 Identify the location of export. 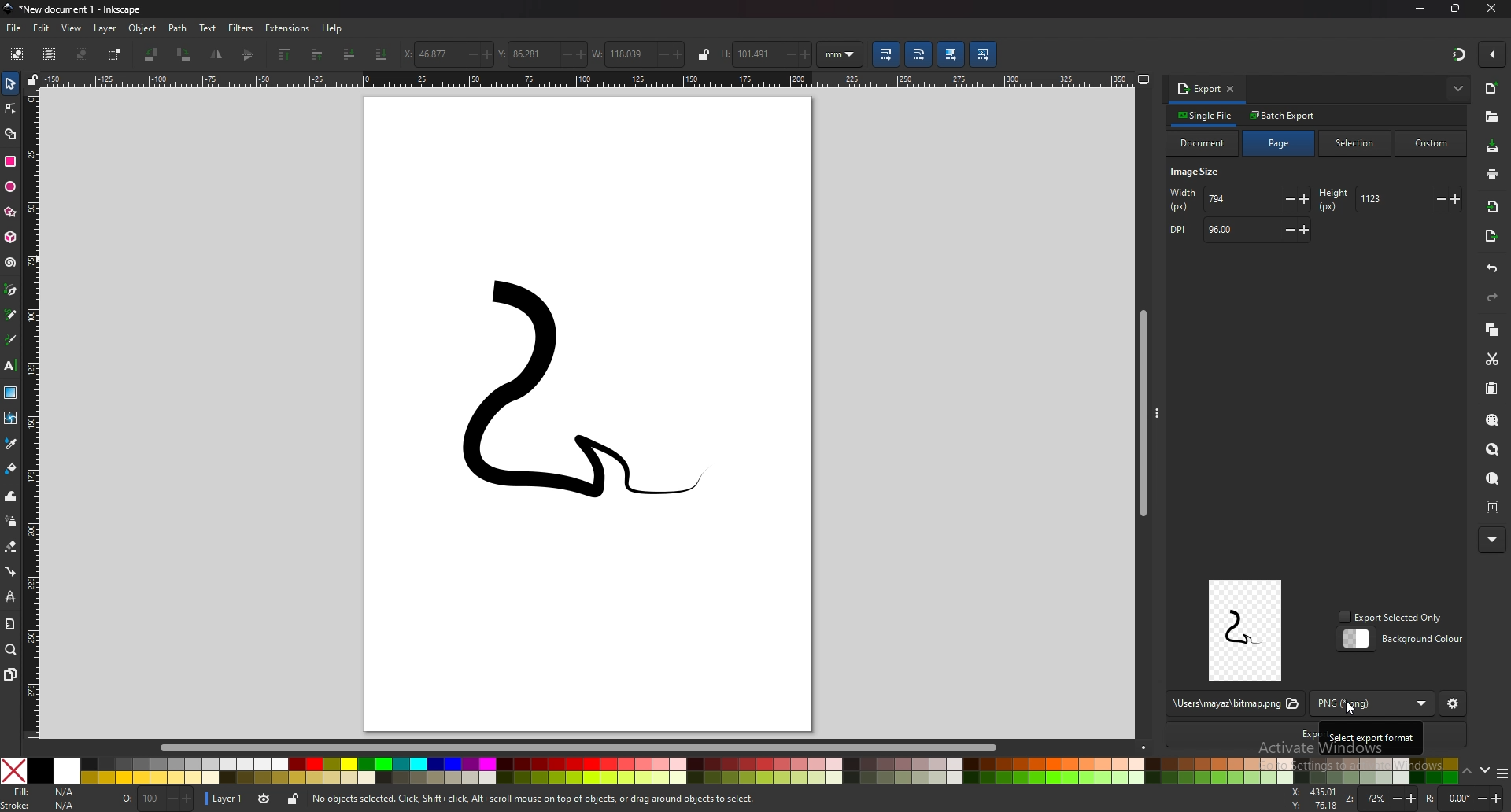
(1239, 734).